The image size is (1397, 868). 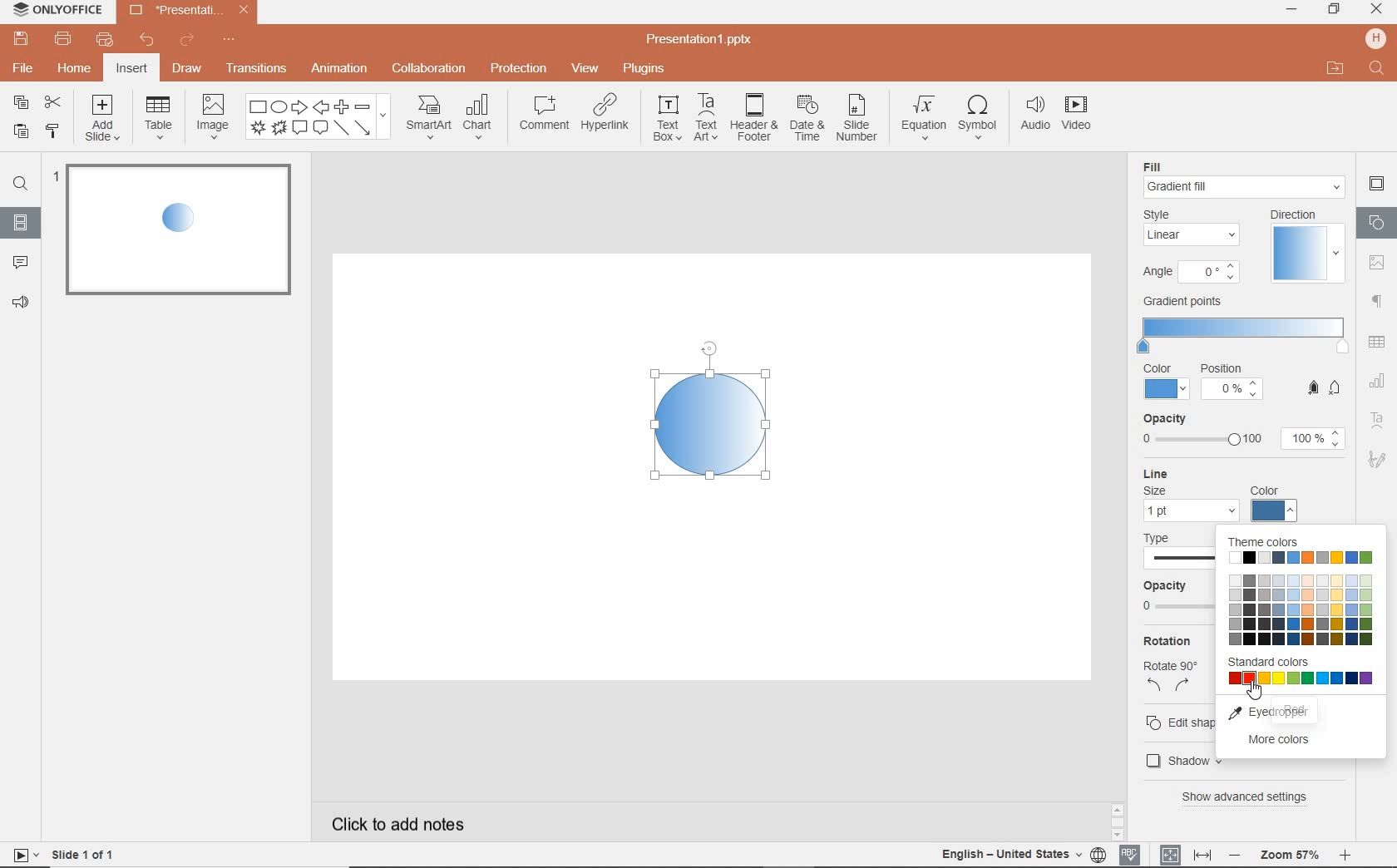 What do you see at coordinates (700, 41) in the screenshot?
I see `file name` at bounding box center [700, 41].